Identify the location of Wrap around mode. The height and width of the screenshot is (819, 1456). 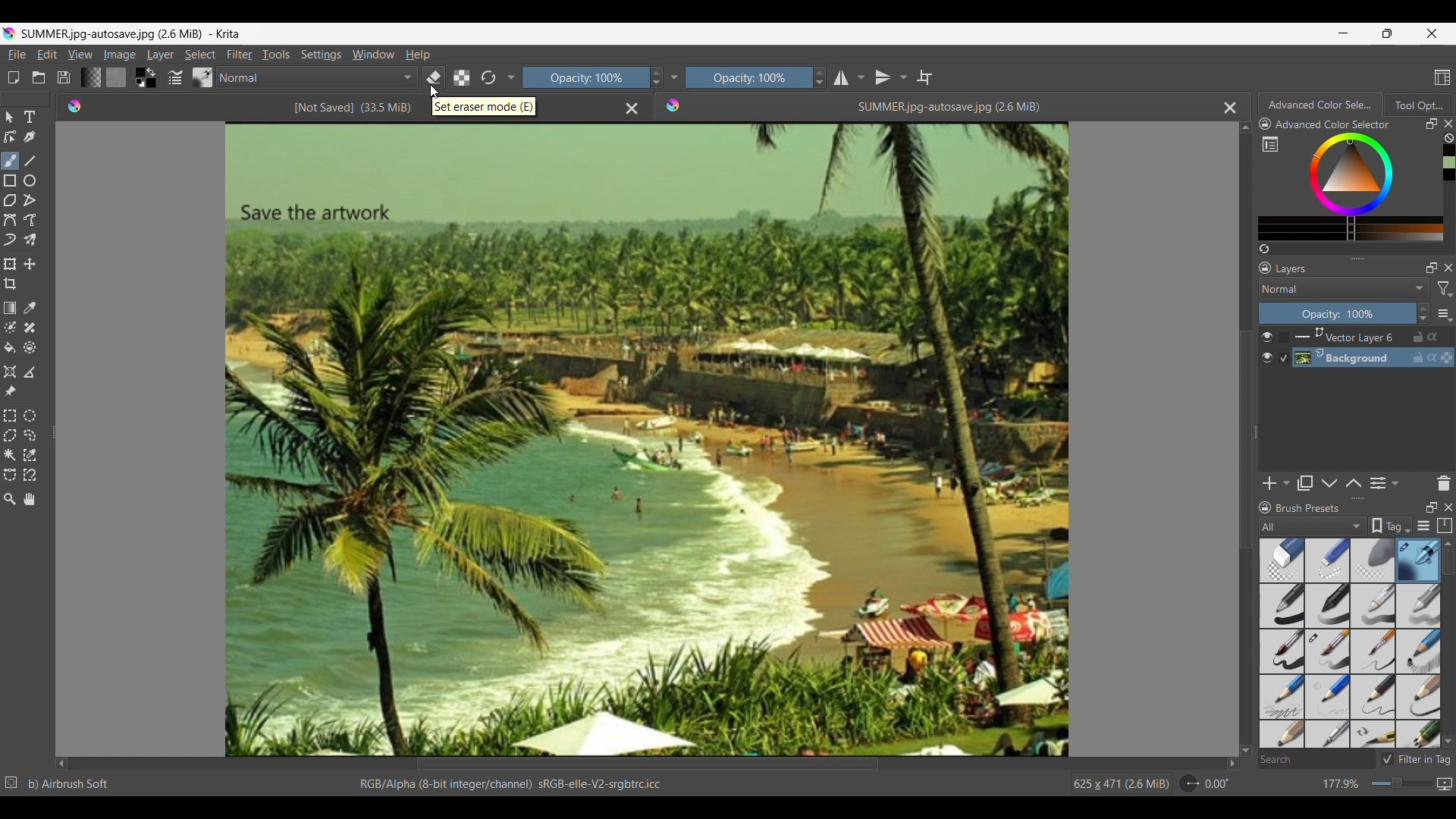
(924, 77).